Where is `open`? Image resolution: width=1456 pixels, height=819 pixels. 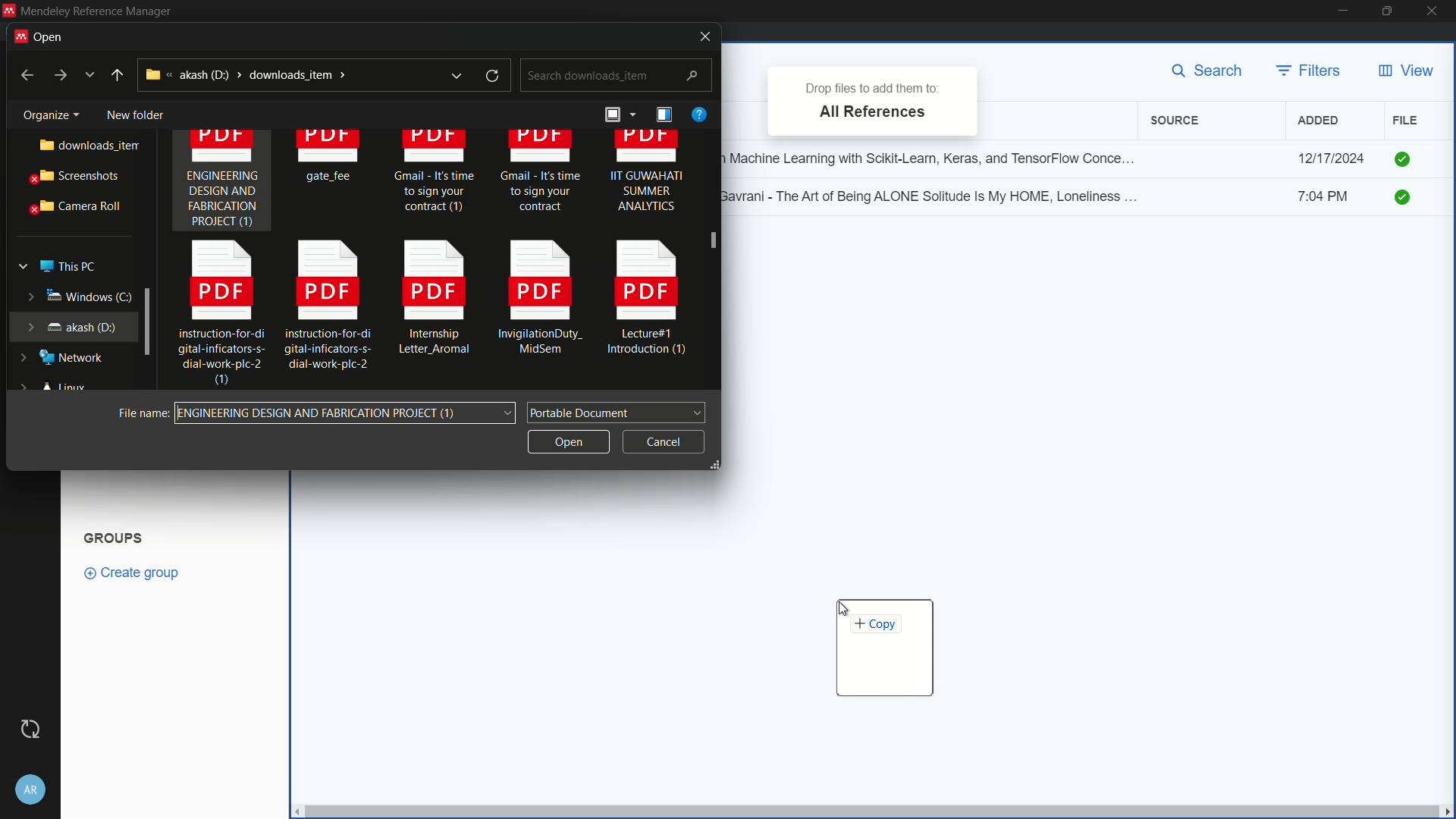 open is located at coordinates (566, 440).